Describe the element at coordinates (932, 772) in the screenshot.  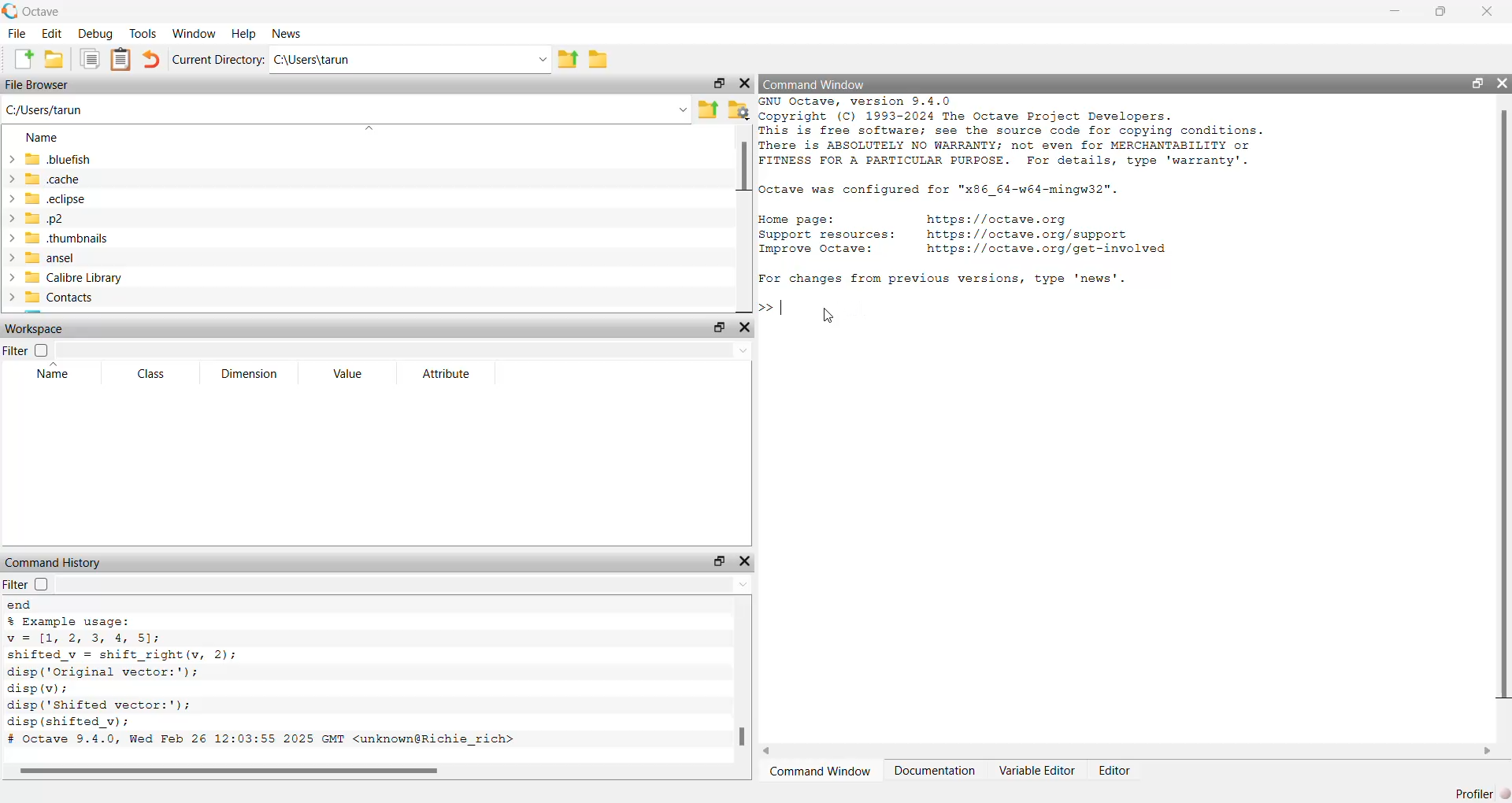
I see `documentation` at that location.